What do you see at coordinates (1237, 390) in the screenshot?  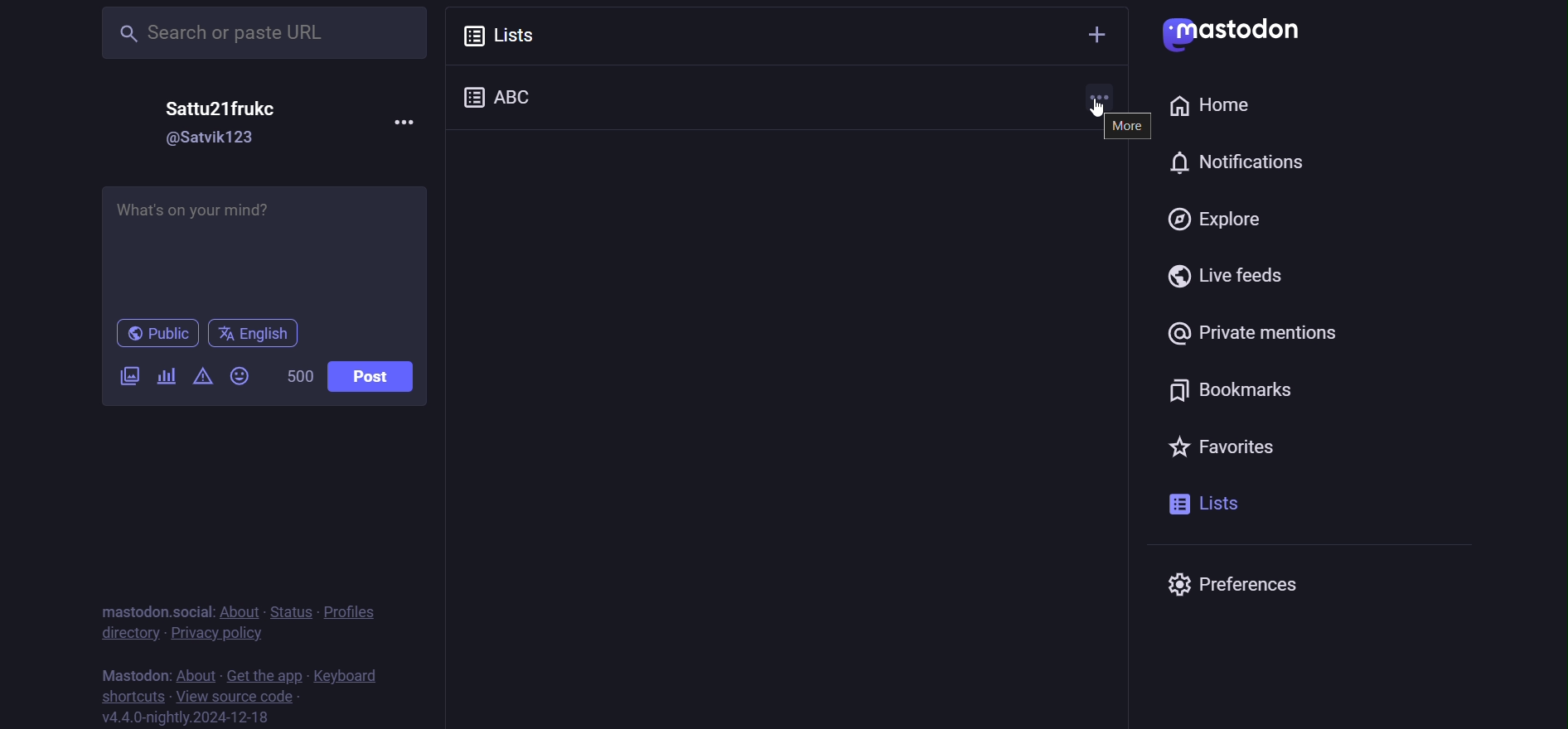 I see `bookmark` at bounding box center [1237, 390].